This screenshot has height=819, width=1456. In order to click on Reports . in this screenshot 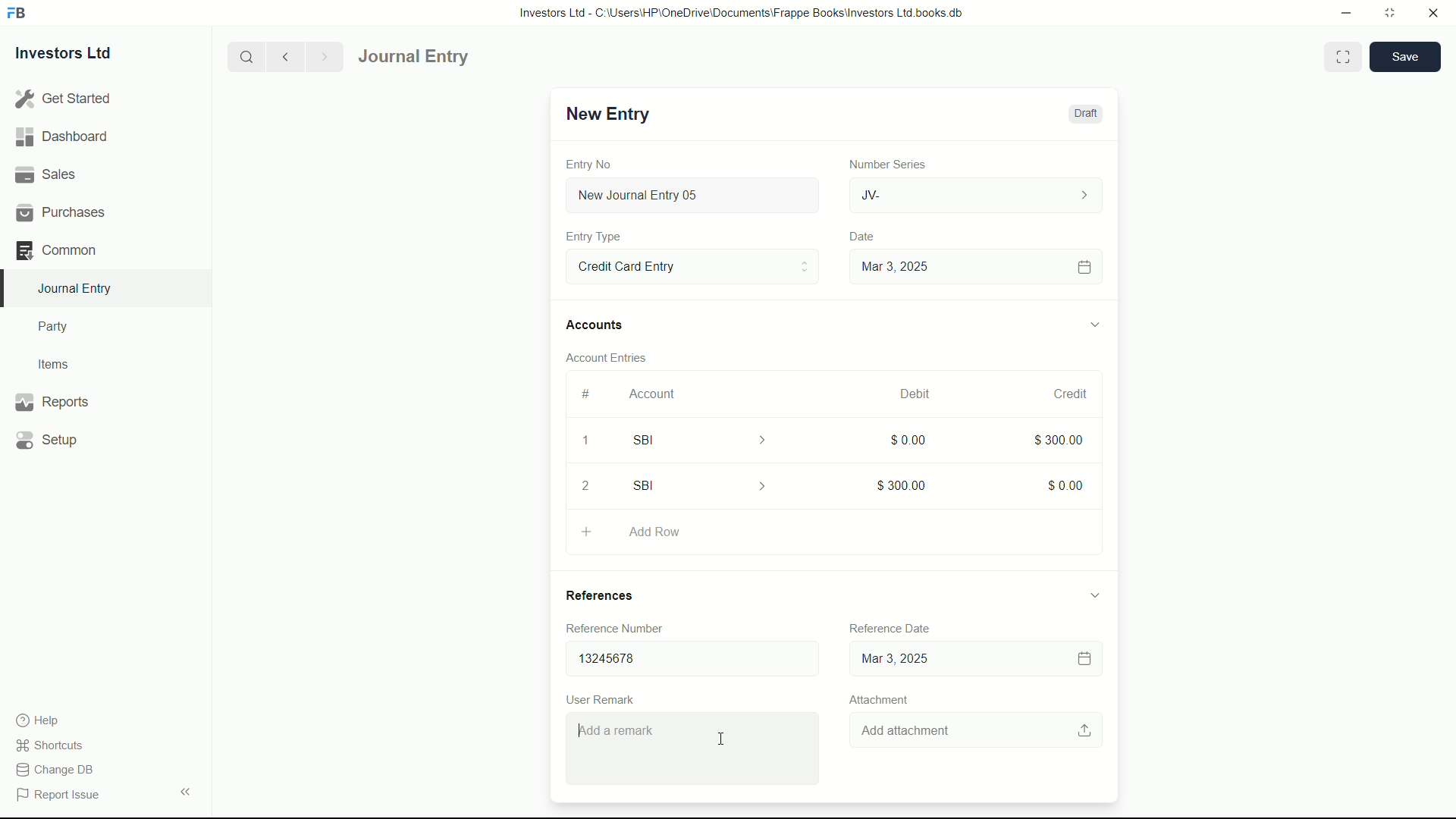, I will do `click(52, 400)`.